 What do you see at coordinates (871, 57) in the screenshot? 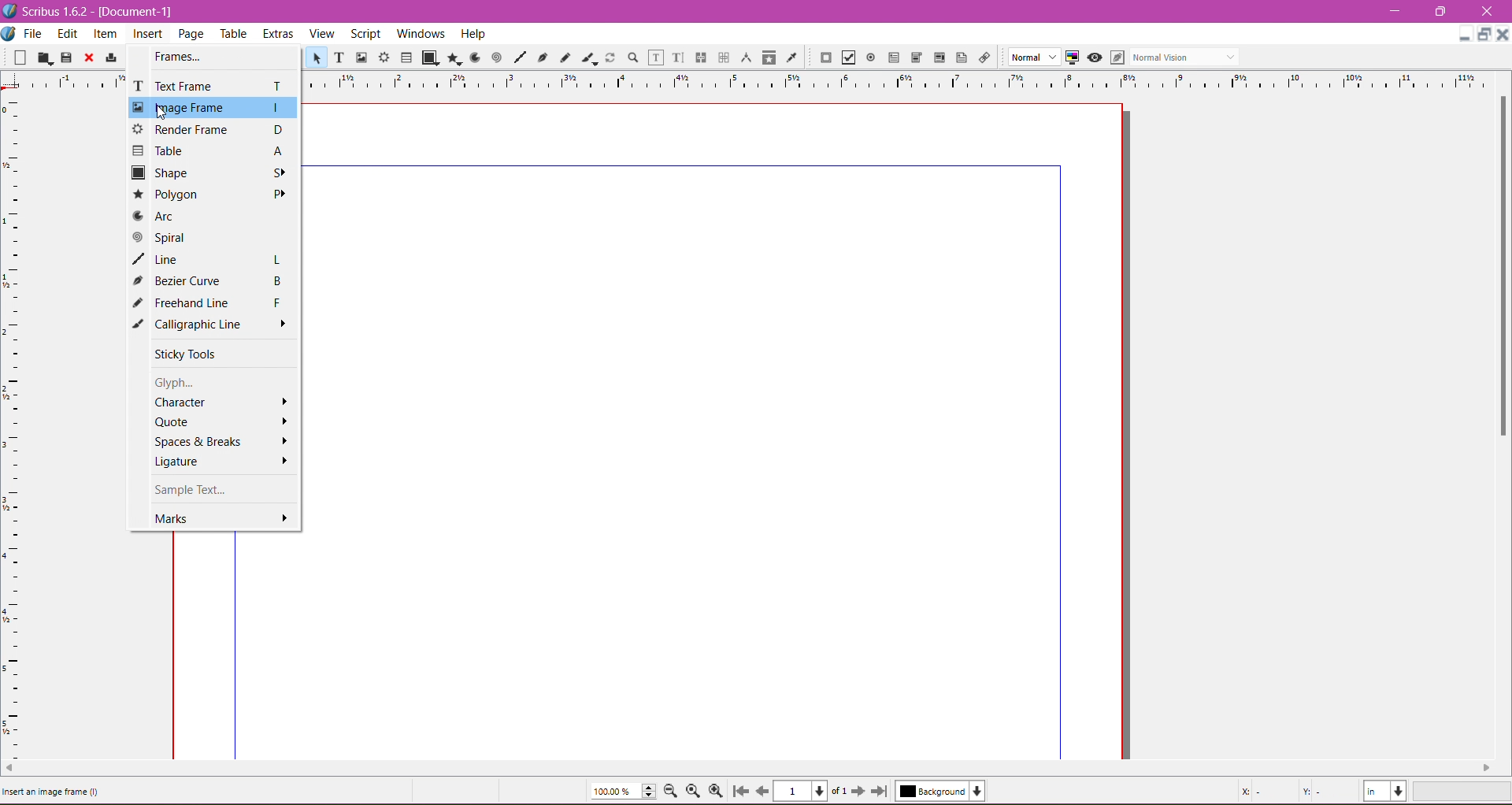
I see `PDF Radio Button` at bounding box center [871, 57].